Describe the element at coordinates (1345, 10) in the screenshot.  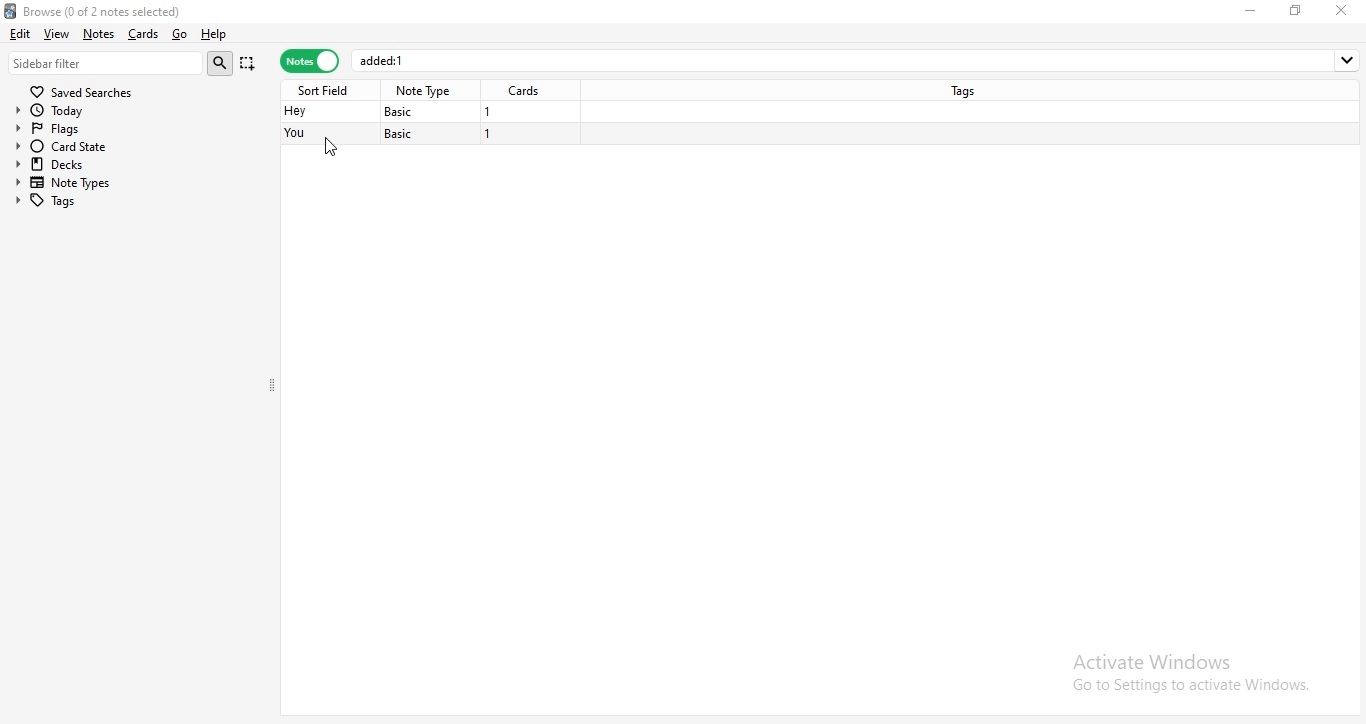
I see `close` at that location.